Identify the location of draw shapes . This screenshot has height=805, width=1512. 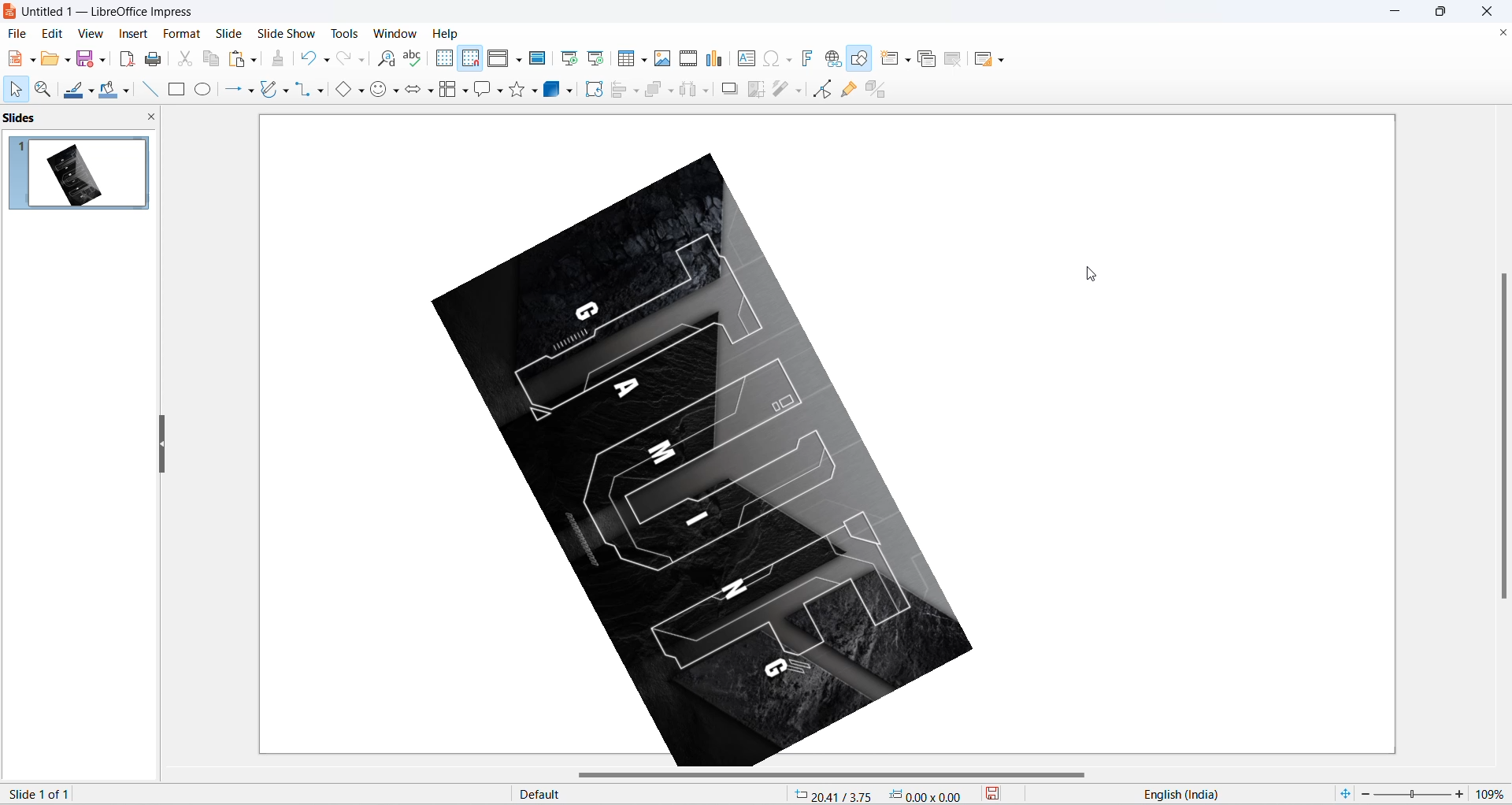
(861, 59).